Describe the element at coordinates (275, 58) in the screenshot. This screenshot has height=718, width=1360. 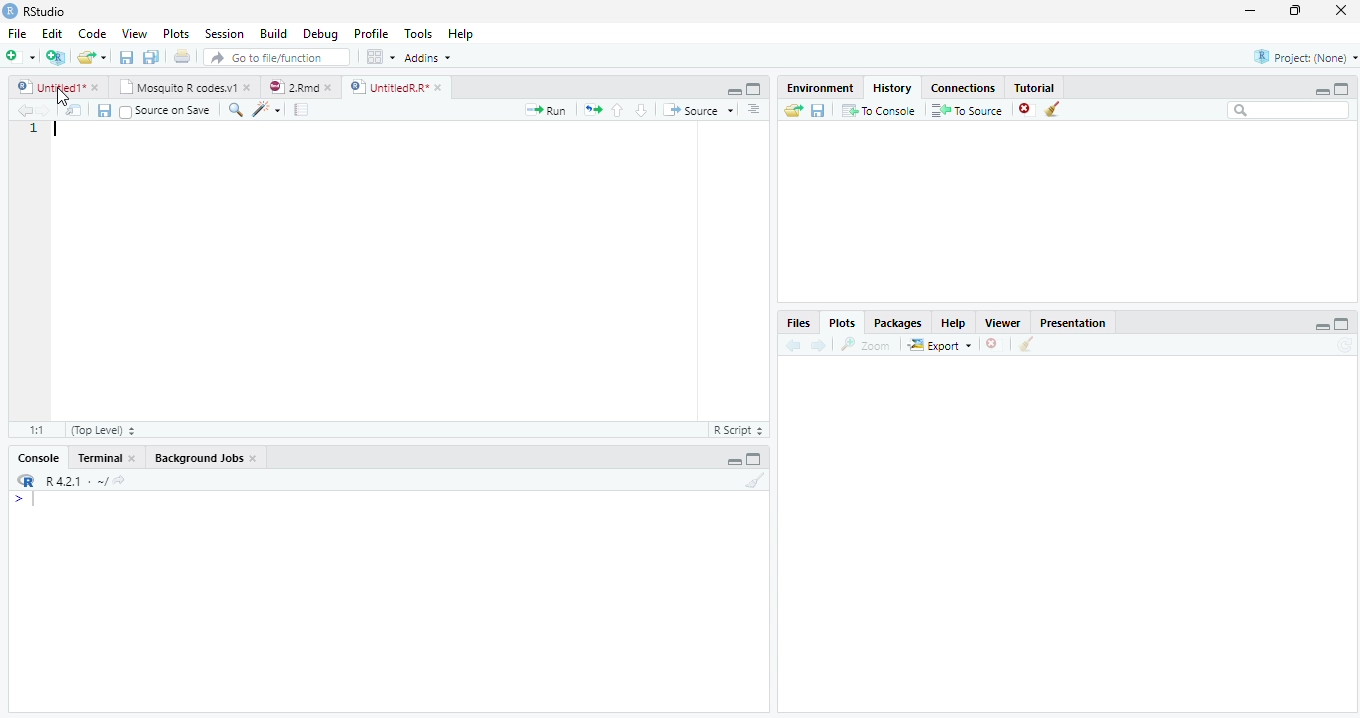
I see `Go ro file/function` at that location.